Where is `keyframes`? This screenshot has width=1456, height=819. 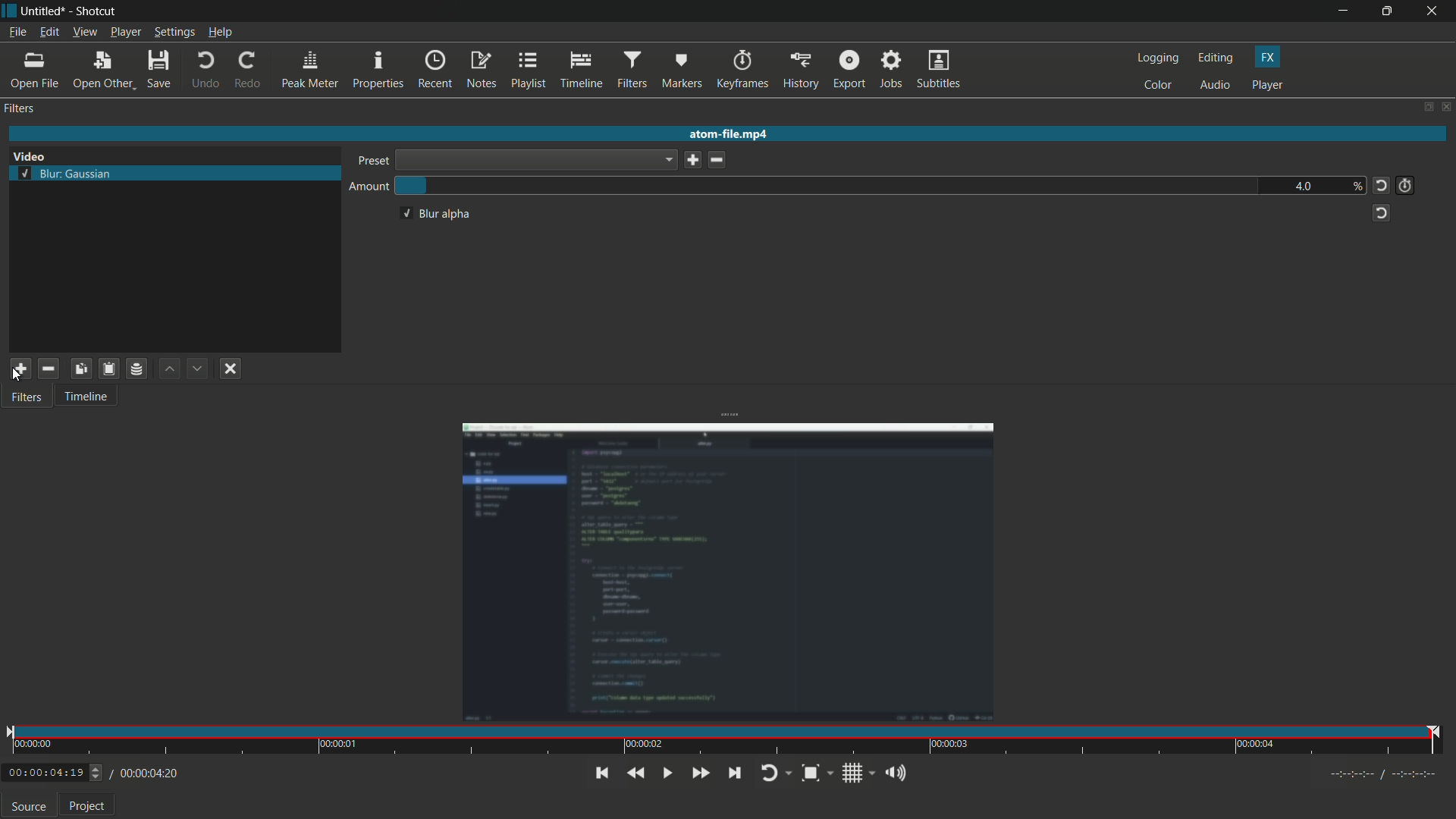
keyframes is located at coordinates (743, 71).